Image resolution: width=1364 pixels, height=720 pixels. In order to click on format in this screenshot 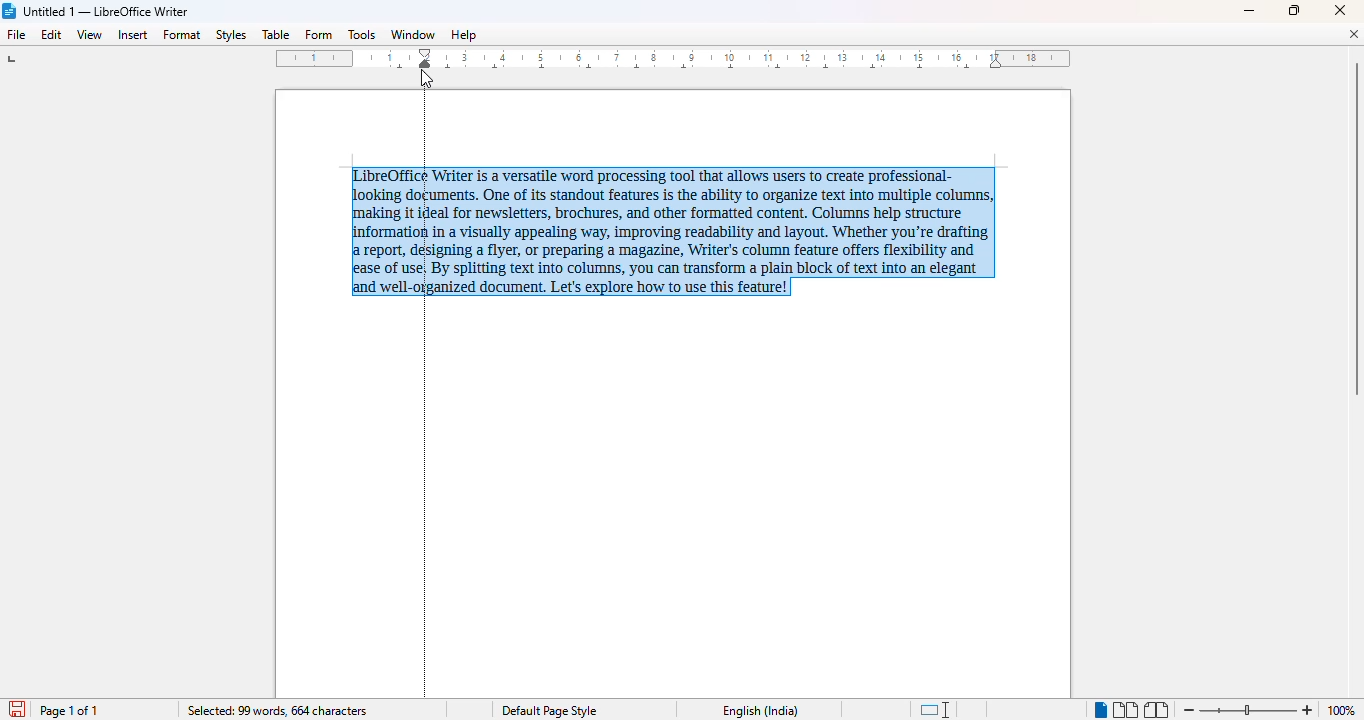, I will do `click(183, 35)`.